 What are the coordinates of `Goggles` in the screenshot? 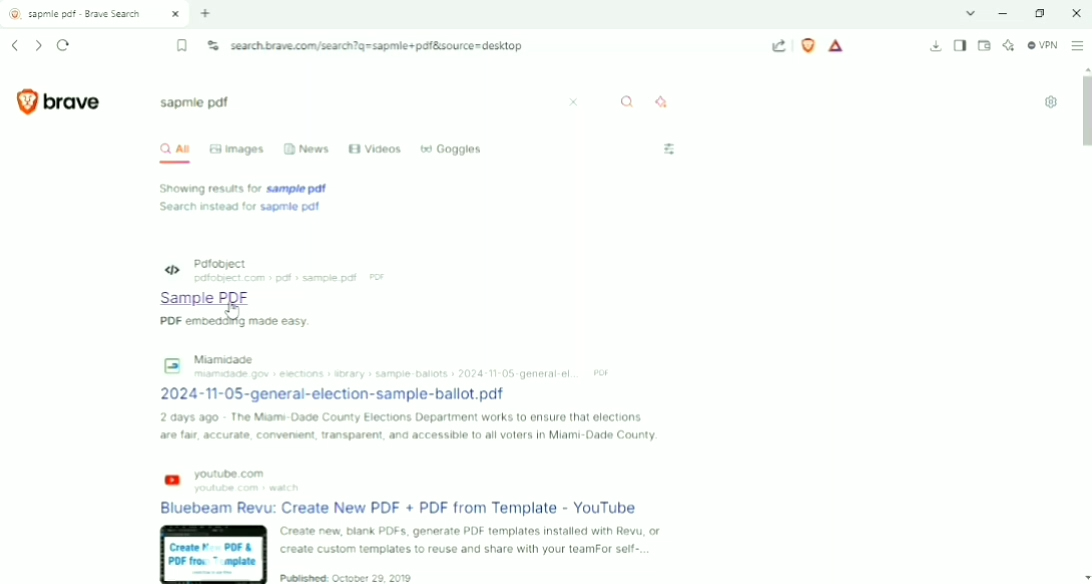 It's located at (451, 147).